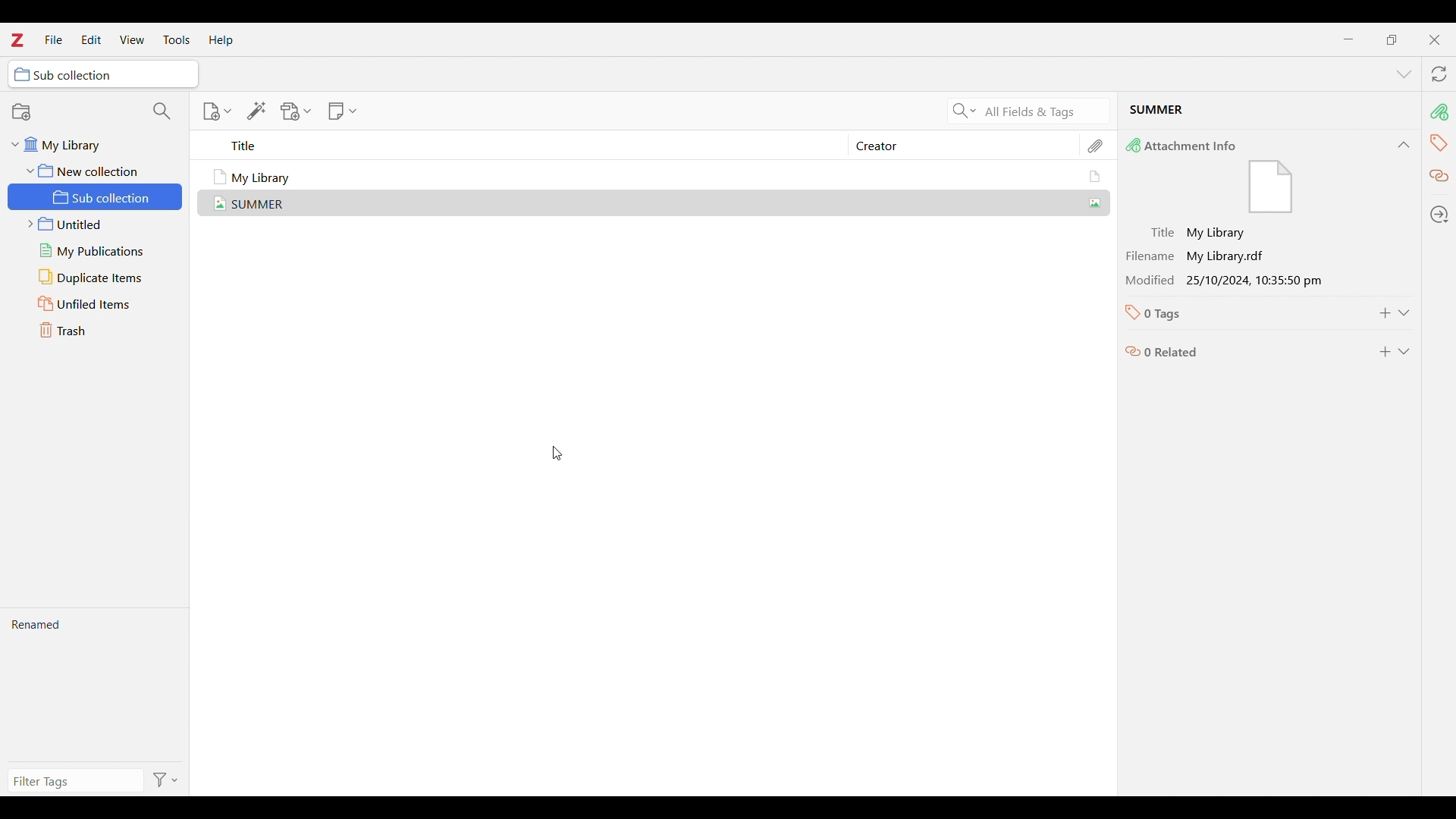 The image size is (1456, 819). I want to click on Duplicate items, so click(97, 277).